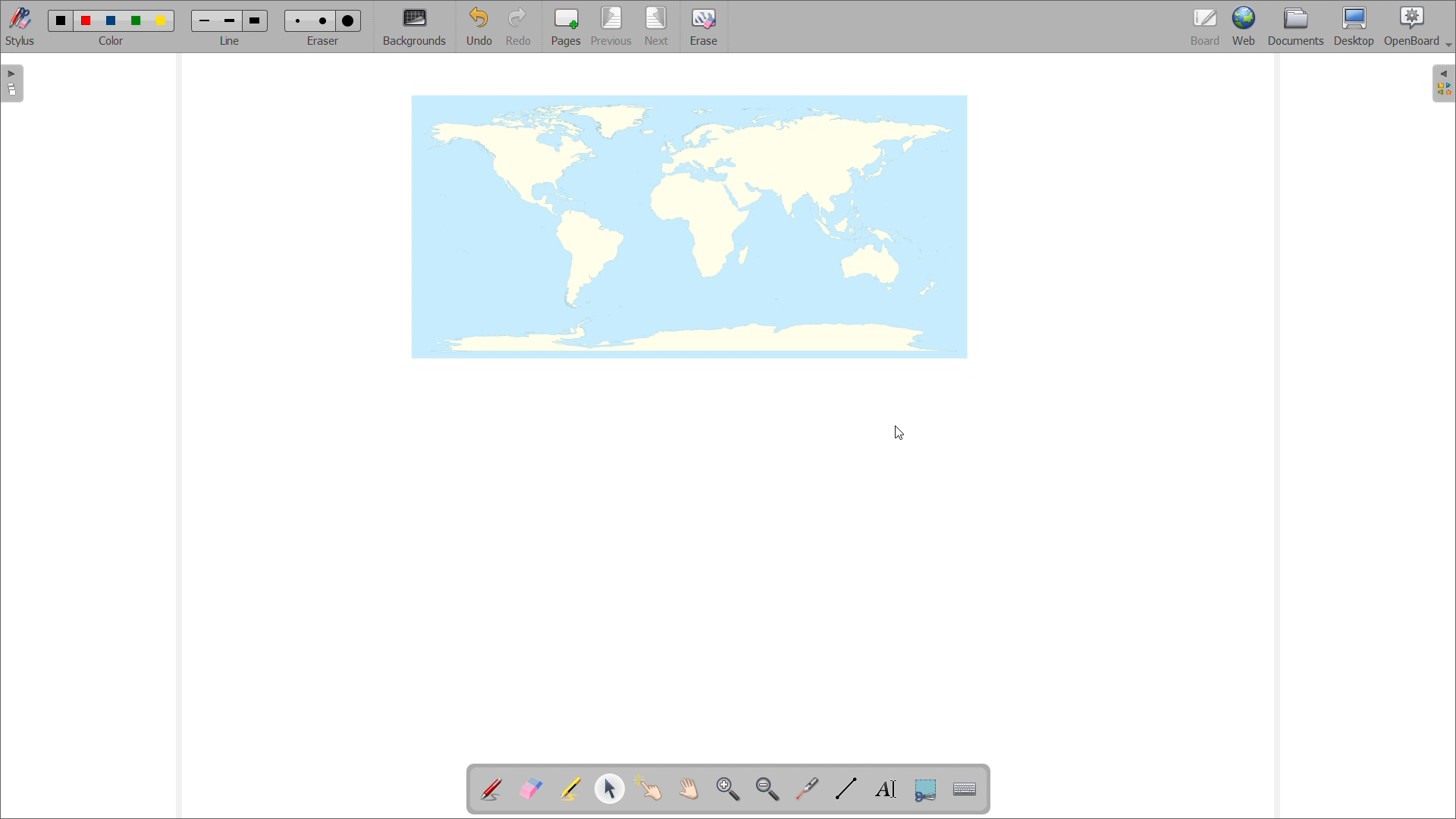 Image resolution: width=1456 pixels, height=819 pixels. What do you see at coordinates (415, 27) in the screenshot?
I see `backgrounds` at bounding box center [415, 27].